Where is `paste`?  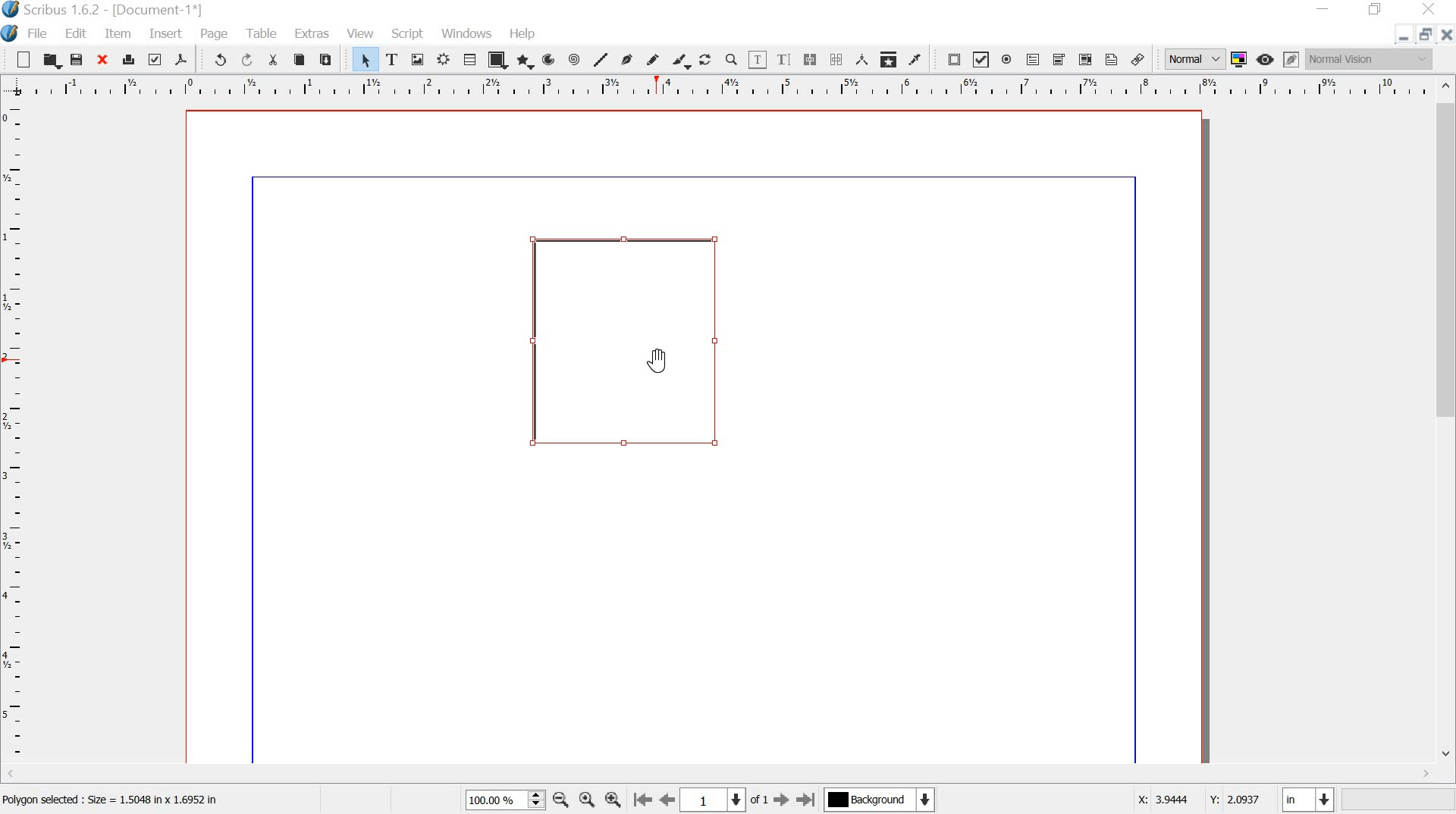 paste is located at coordinates (329, 61).